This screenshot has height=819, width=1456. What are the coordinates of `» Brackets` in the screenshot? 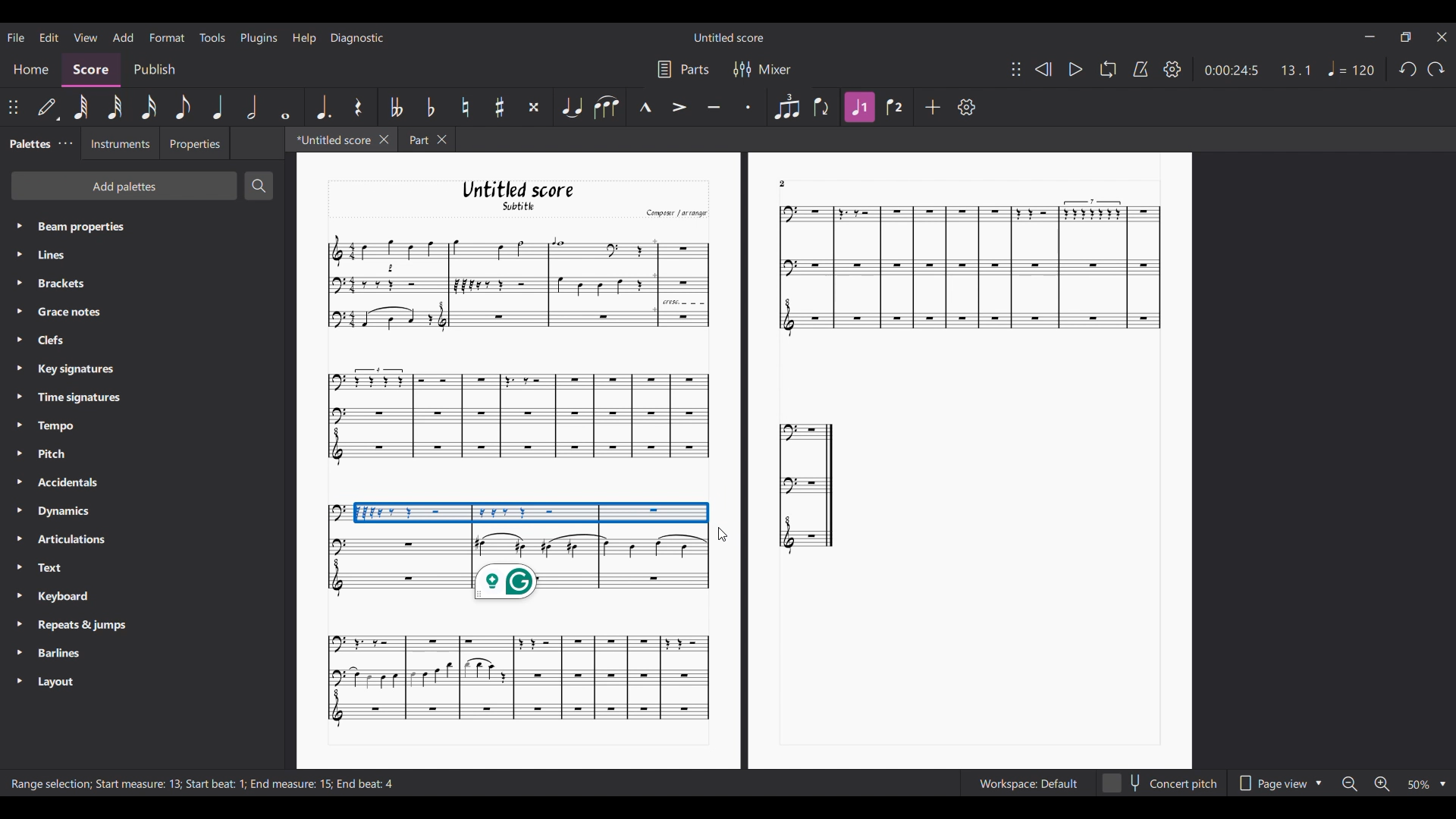 It's located at (58, 285).